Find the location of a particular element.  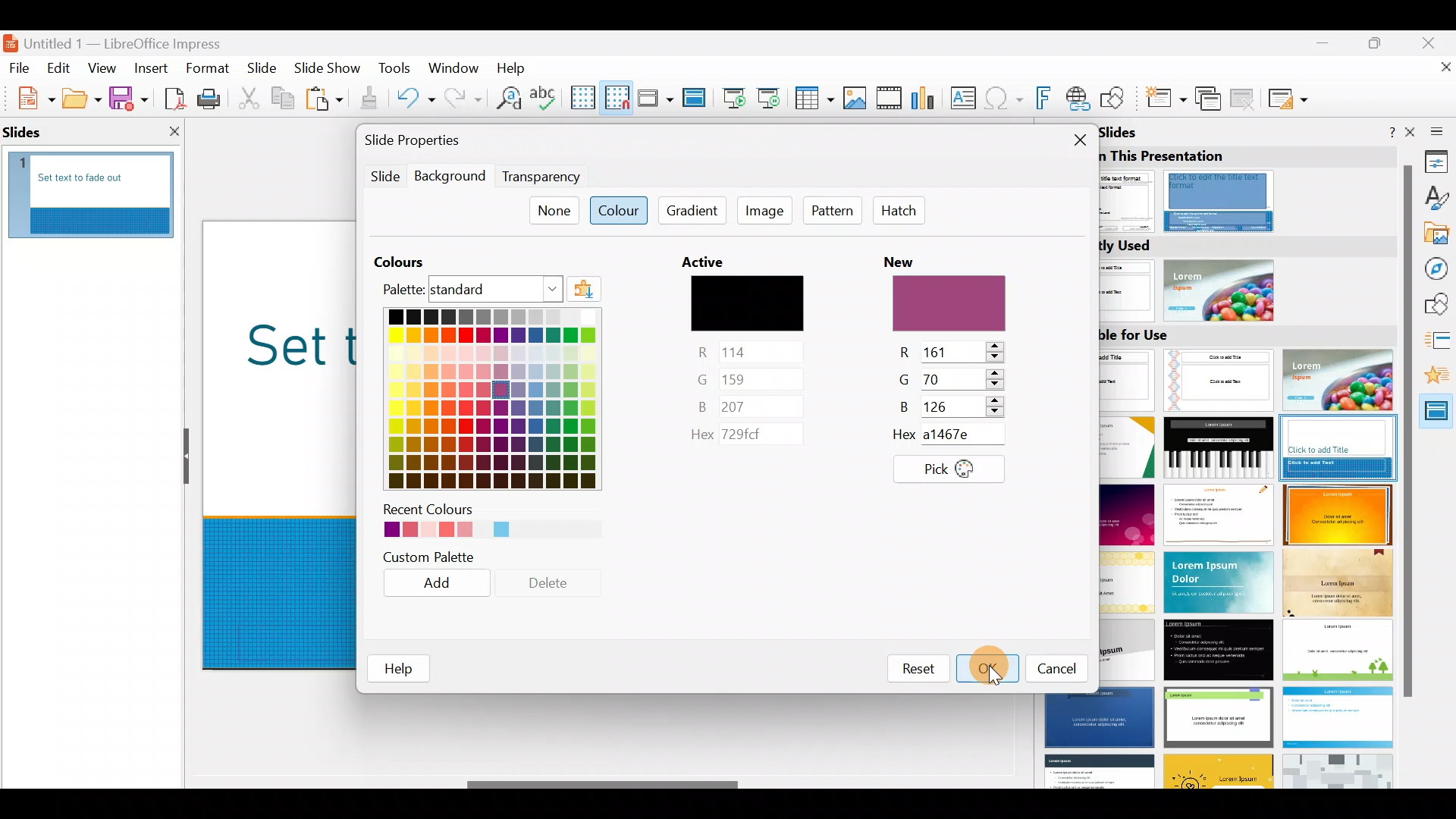

Background is located at coordinates (451, 177).